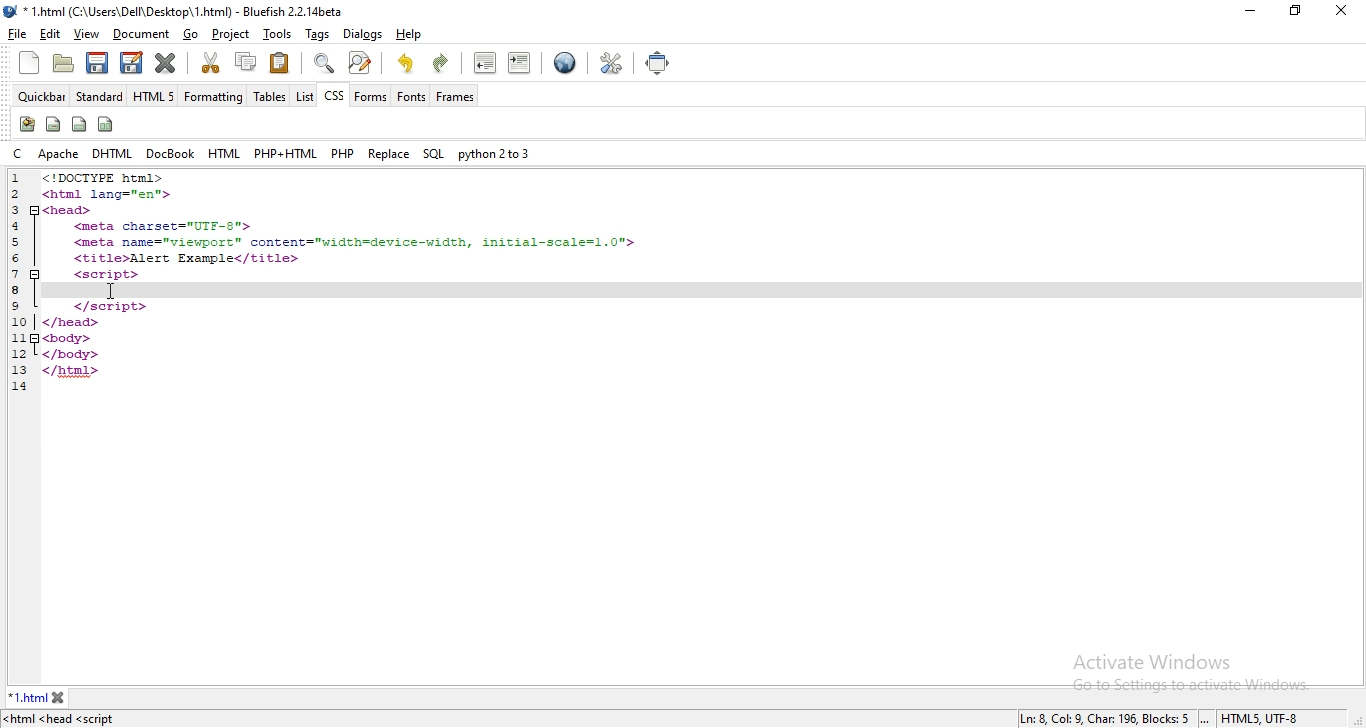 The height and width of the screenshot is (728, 1366). I want to click on <body>, so click(65, 337).